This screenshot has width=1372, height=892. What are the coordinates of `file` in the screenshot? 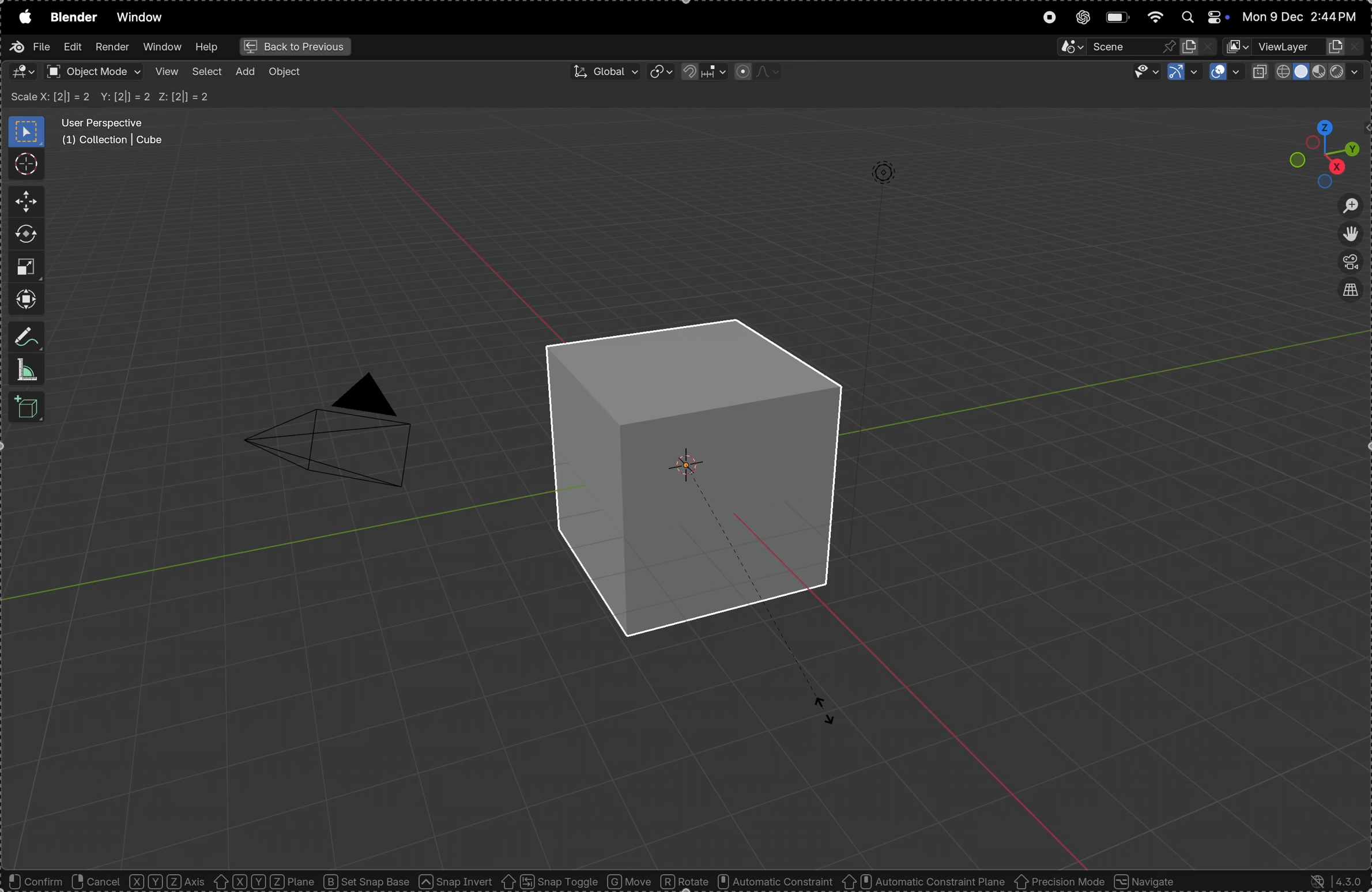 It's located at (32, 50).